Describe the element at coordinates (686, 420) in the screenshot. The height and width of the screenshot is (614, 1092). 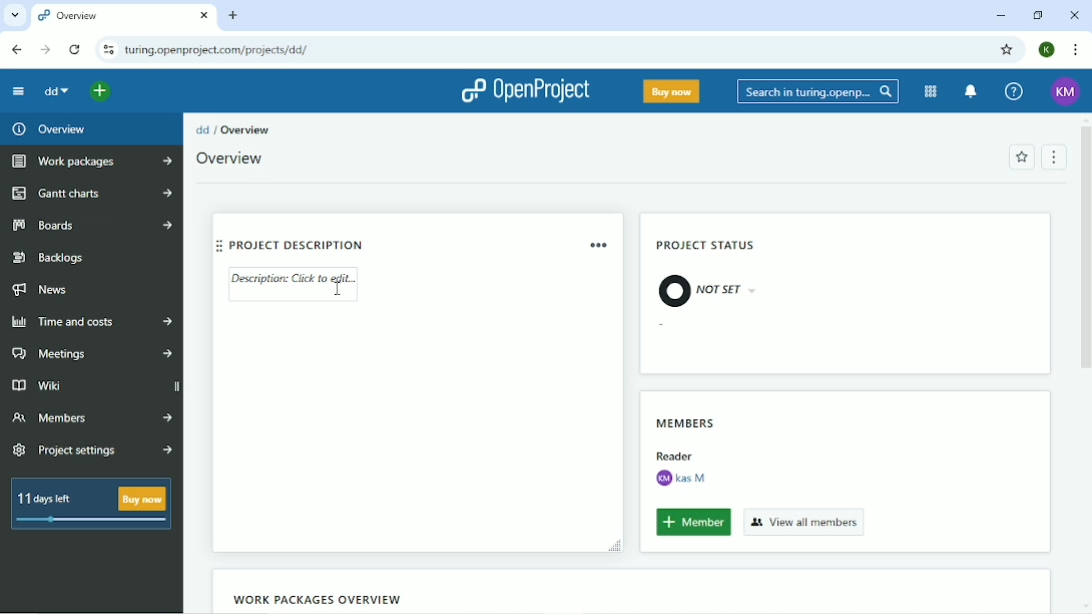
I see `Members` at that location.